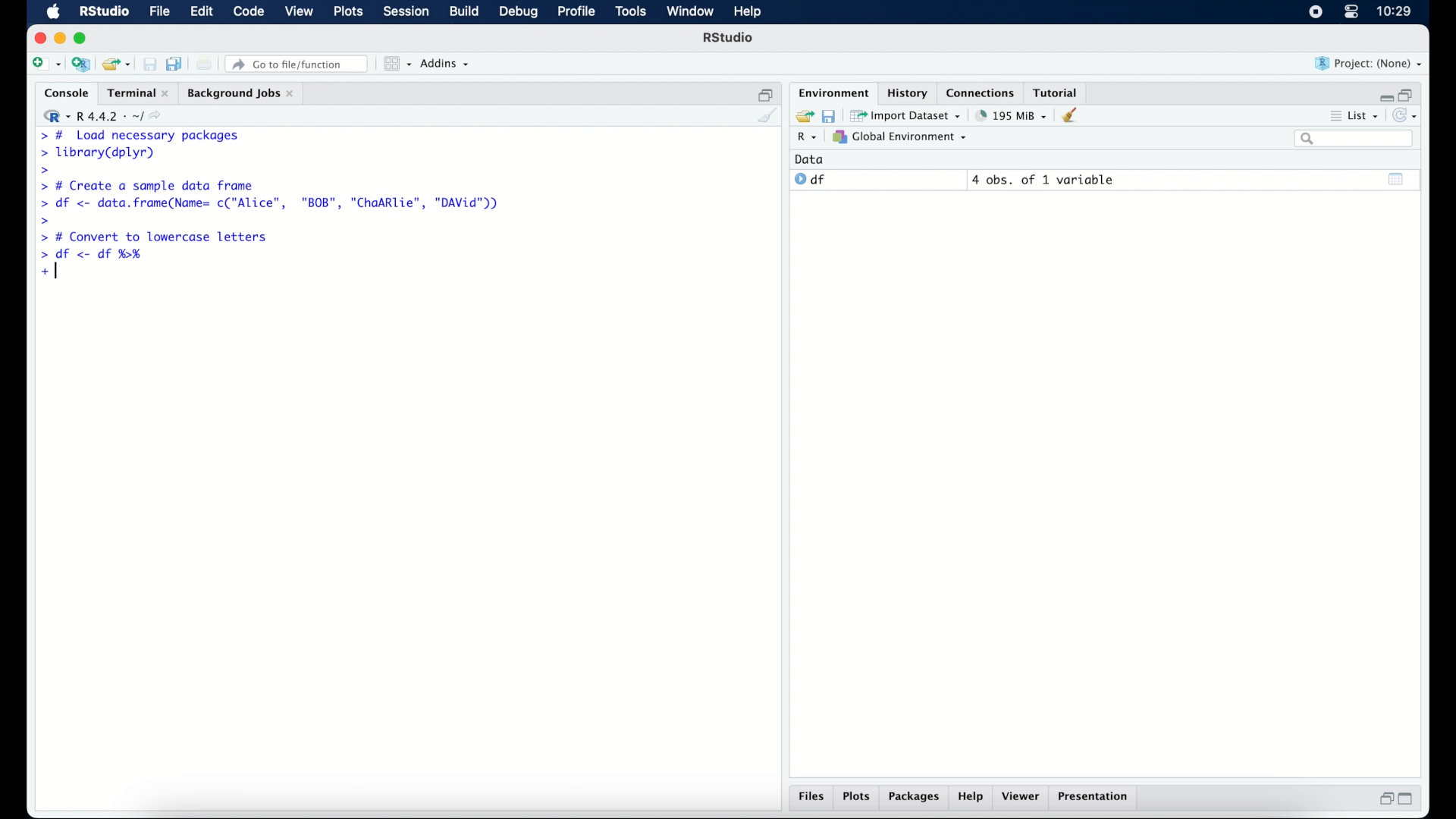 This screenshot has width=1456, height=819. Describe the element at coordinates (1410, 799) in the screenshot. I see `maximize` at that location.